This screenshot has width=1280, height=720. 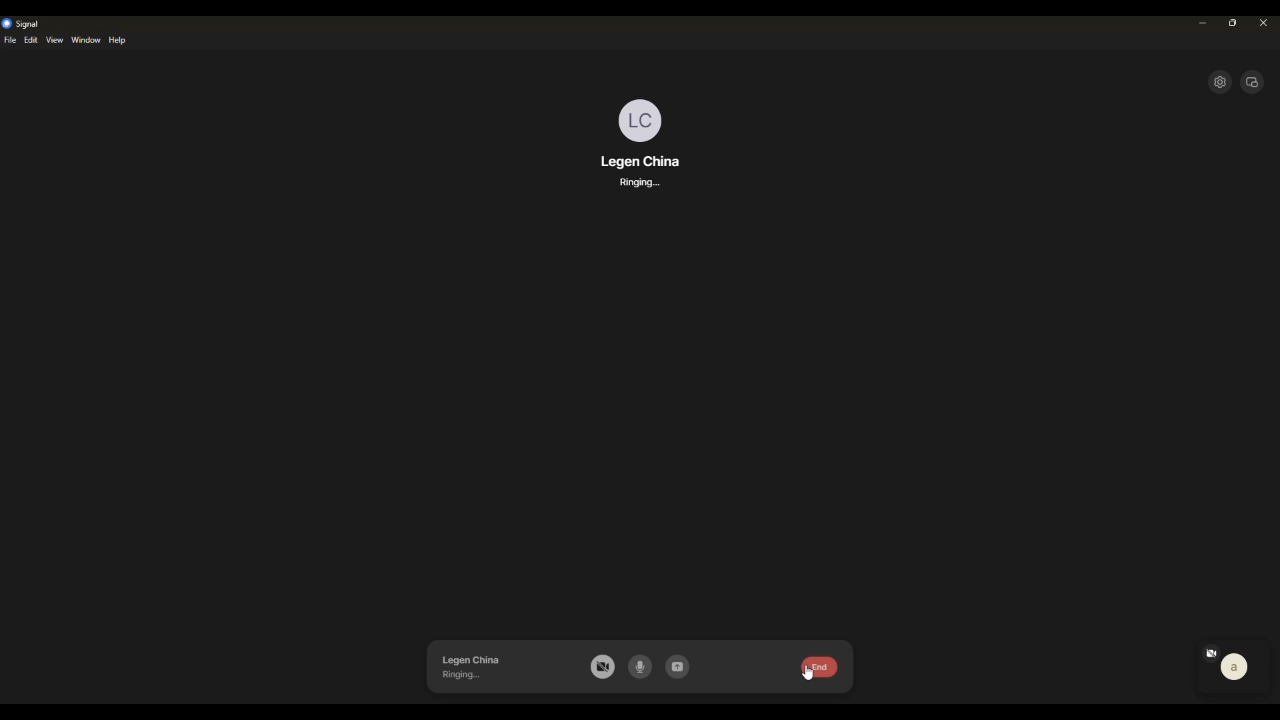 What do you see at coordinates (1246, 673) in the screenshot?
I see `a` at bounding box center [1246, 673].